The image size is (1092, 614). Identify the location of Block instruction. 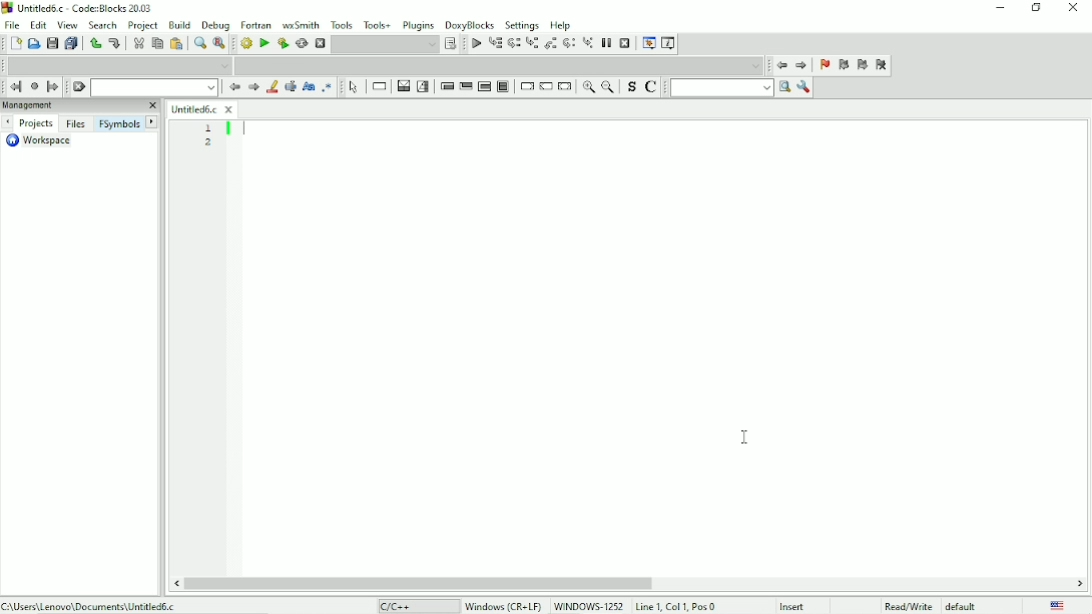
(504, 86).